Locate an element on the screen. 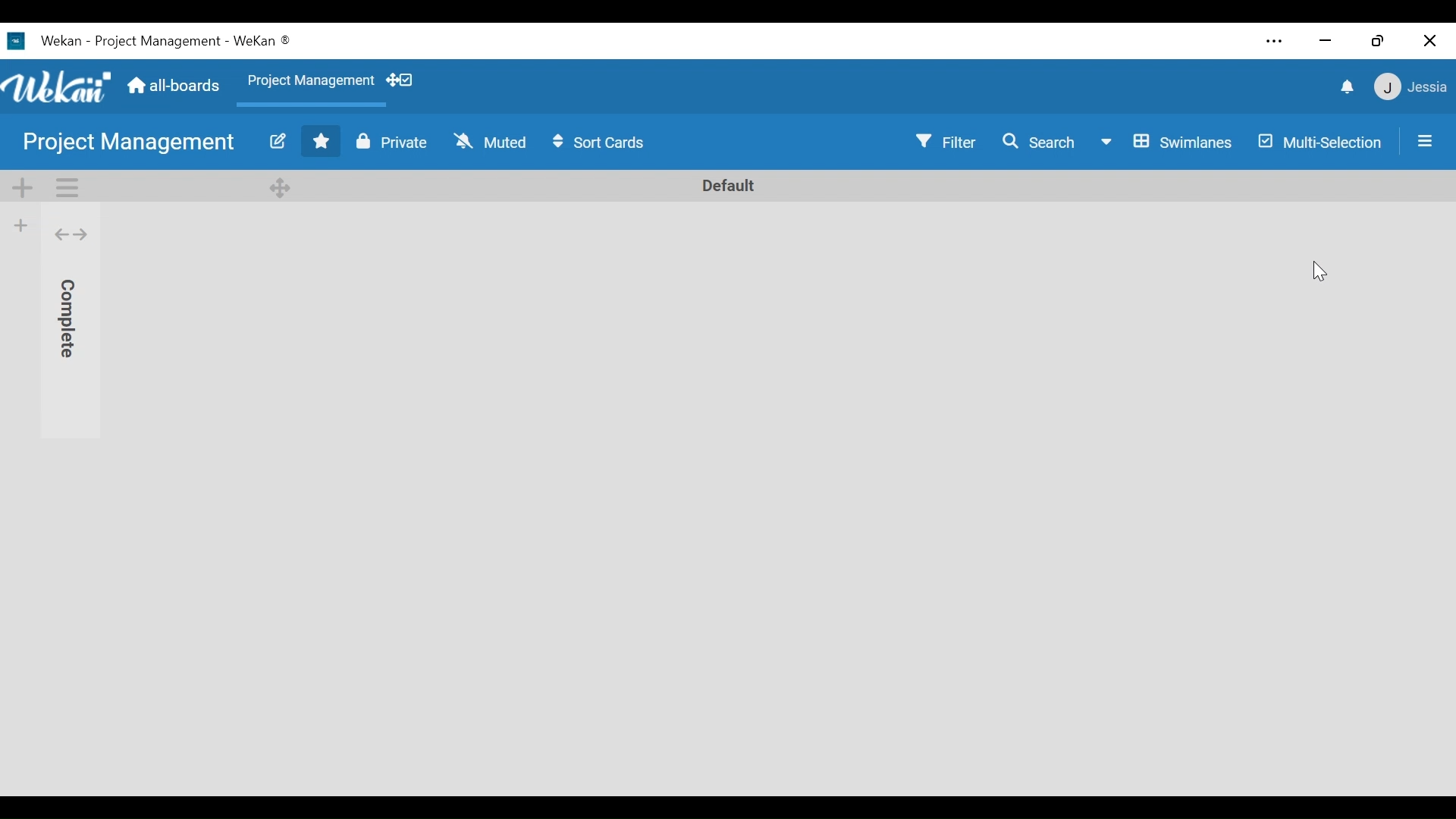 This screenshot has width=1456, height=819. Sidebar is located at coordinates (1425, 140).